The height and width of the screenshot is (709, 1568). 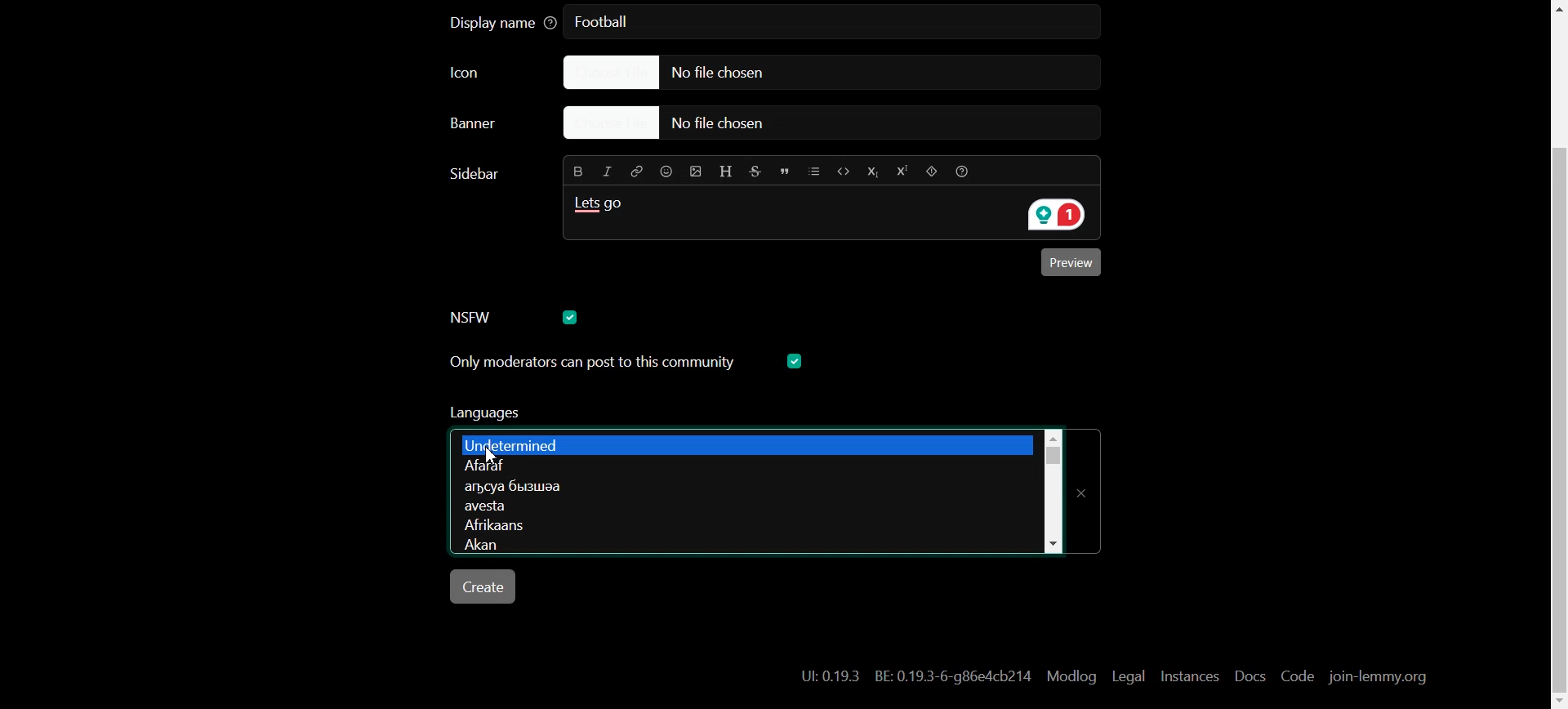 What do you see at coordinates (738, 508) in the screenshot?
I see `Language` at bounding box center [738, 508].